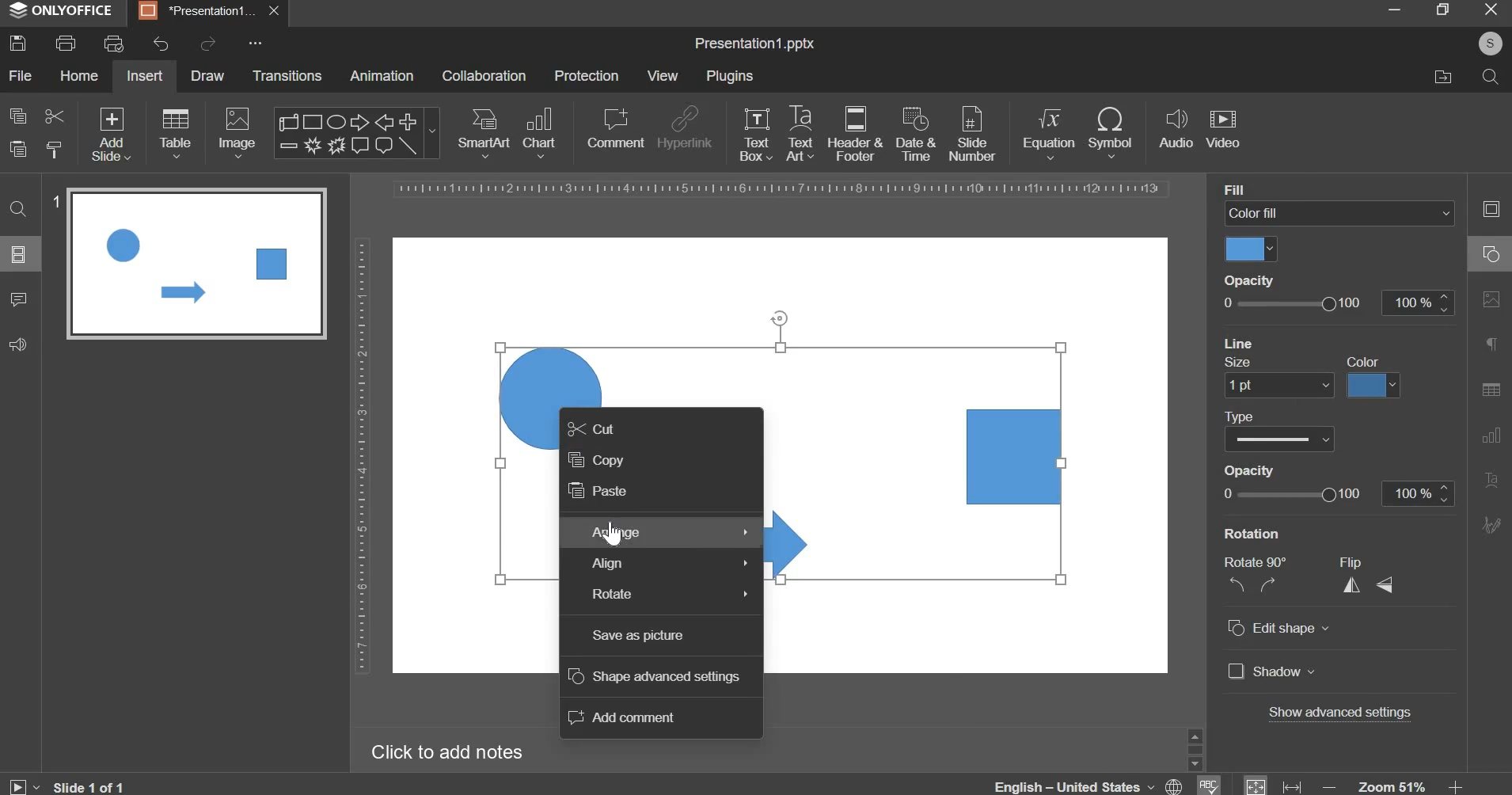 This screenshot has height=795, width=1512. Describe the element at coordinates (239, 132) in the screenshot. I see `image` at that location.